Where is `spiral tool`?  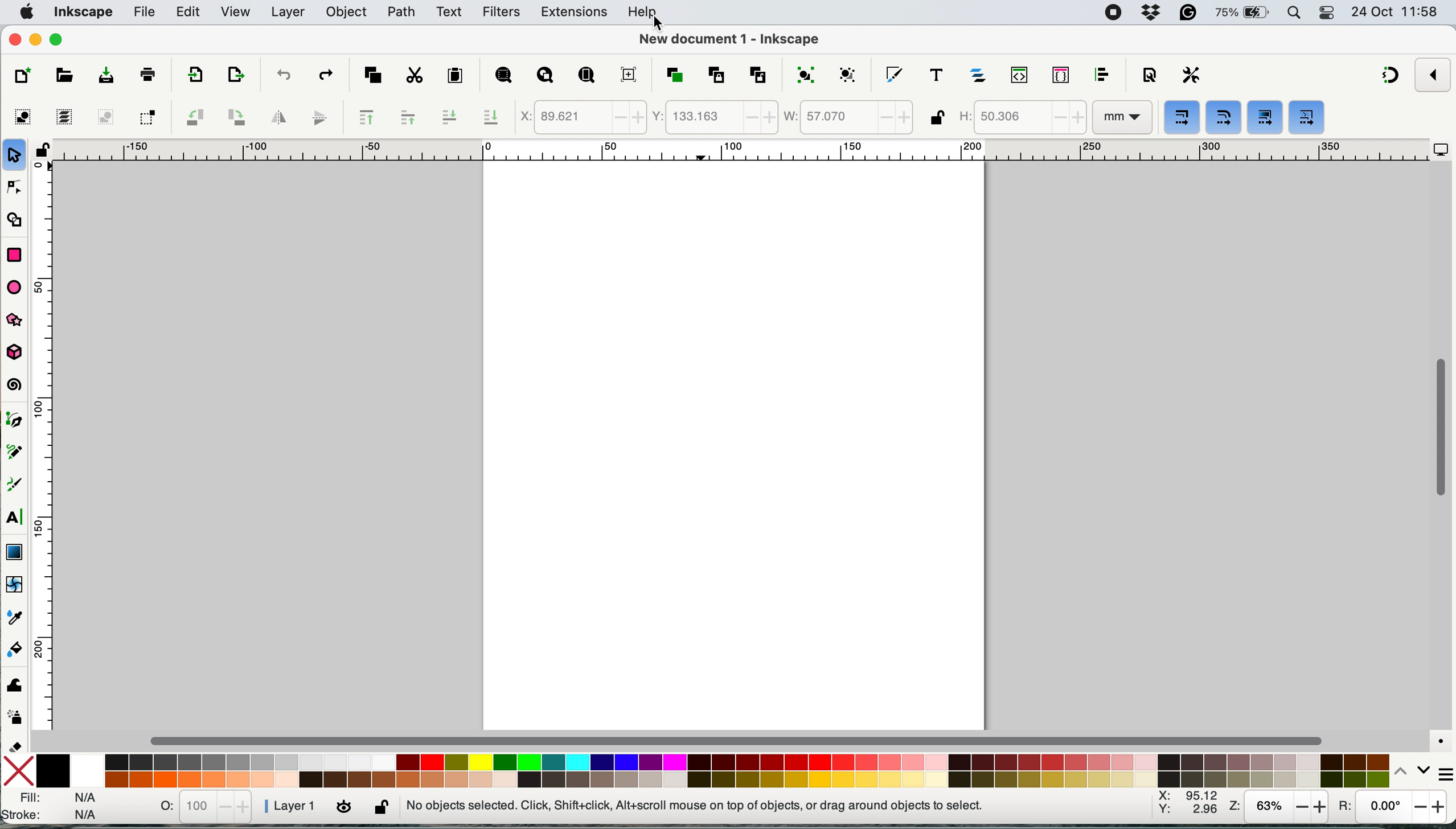 spiral tool is located at coordinates (14, 386).